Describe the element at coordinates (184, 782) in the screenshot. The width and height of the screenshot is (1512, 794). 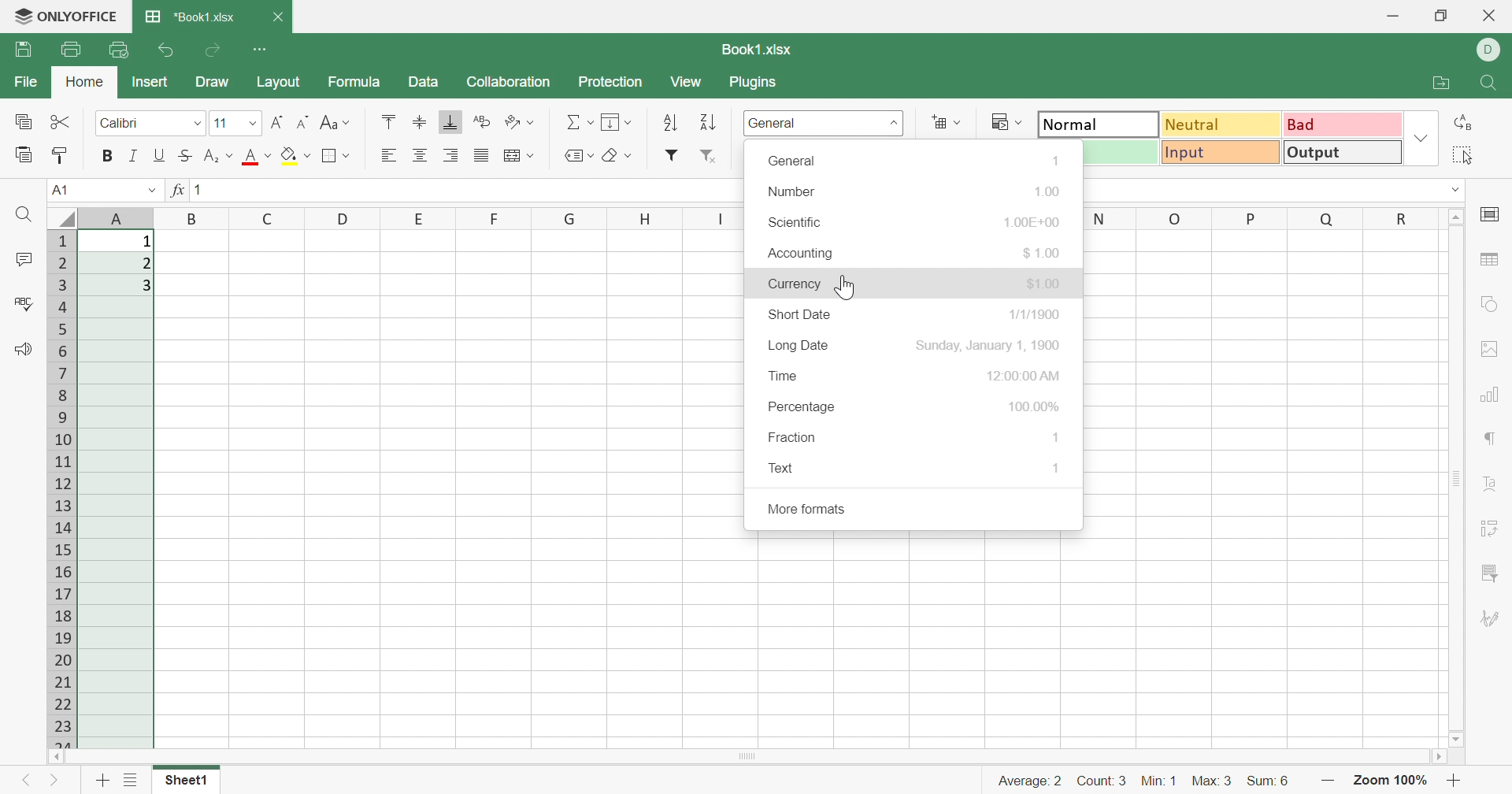
I see `Sheet1` at that location.